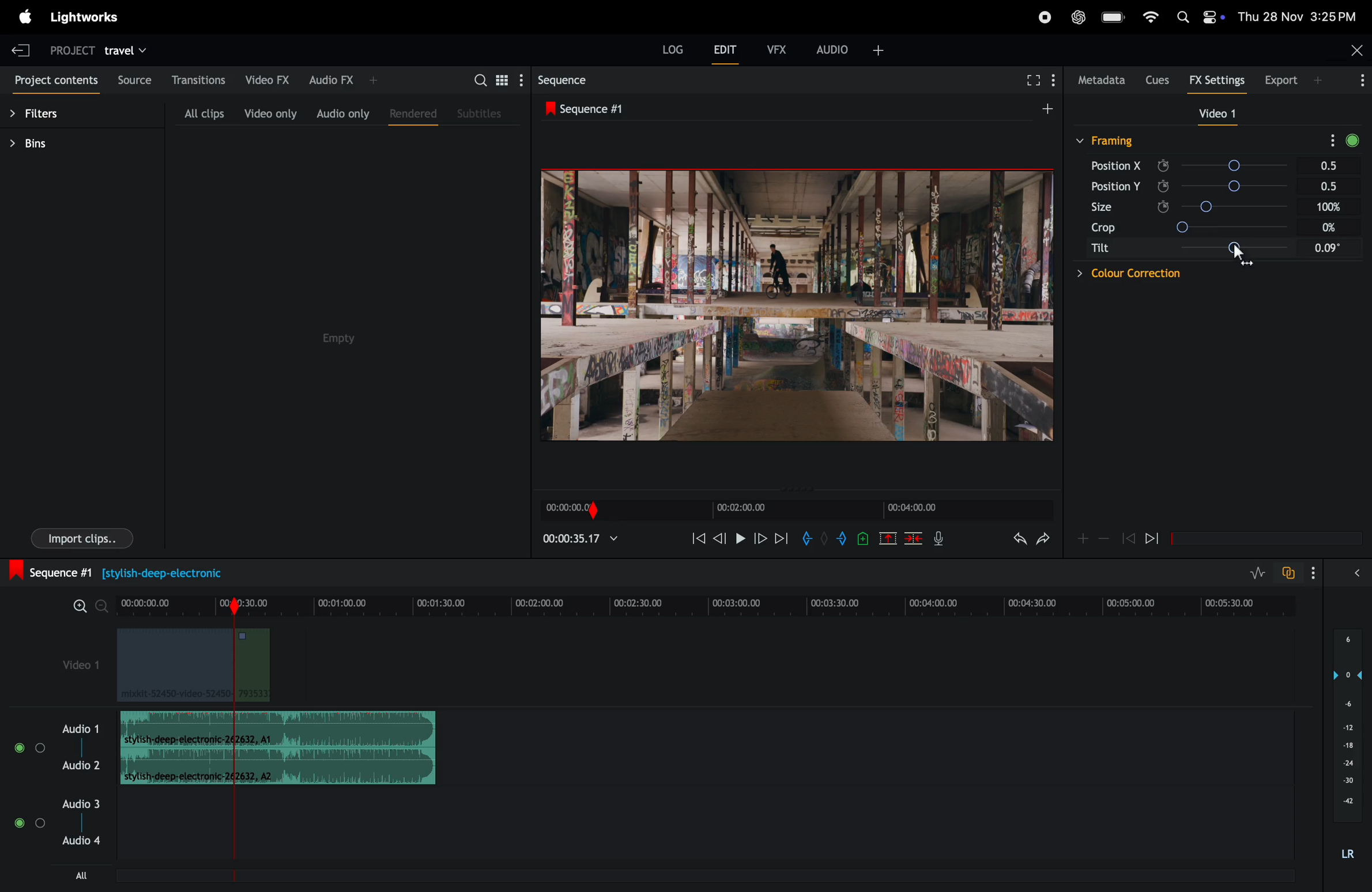 The image size is (1372, 892). Describe the element at coordinates (76, 540) in the screenshot. I see `import clips` at that location.